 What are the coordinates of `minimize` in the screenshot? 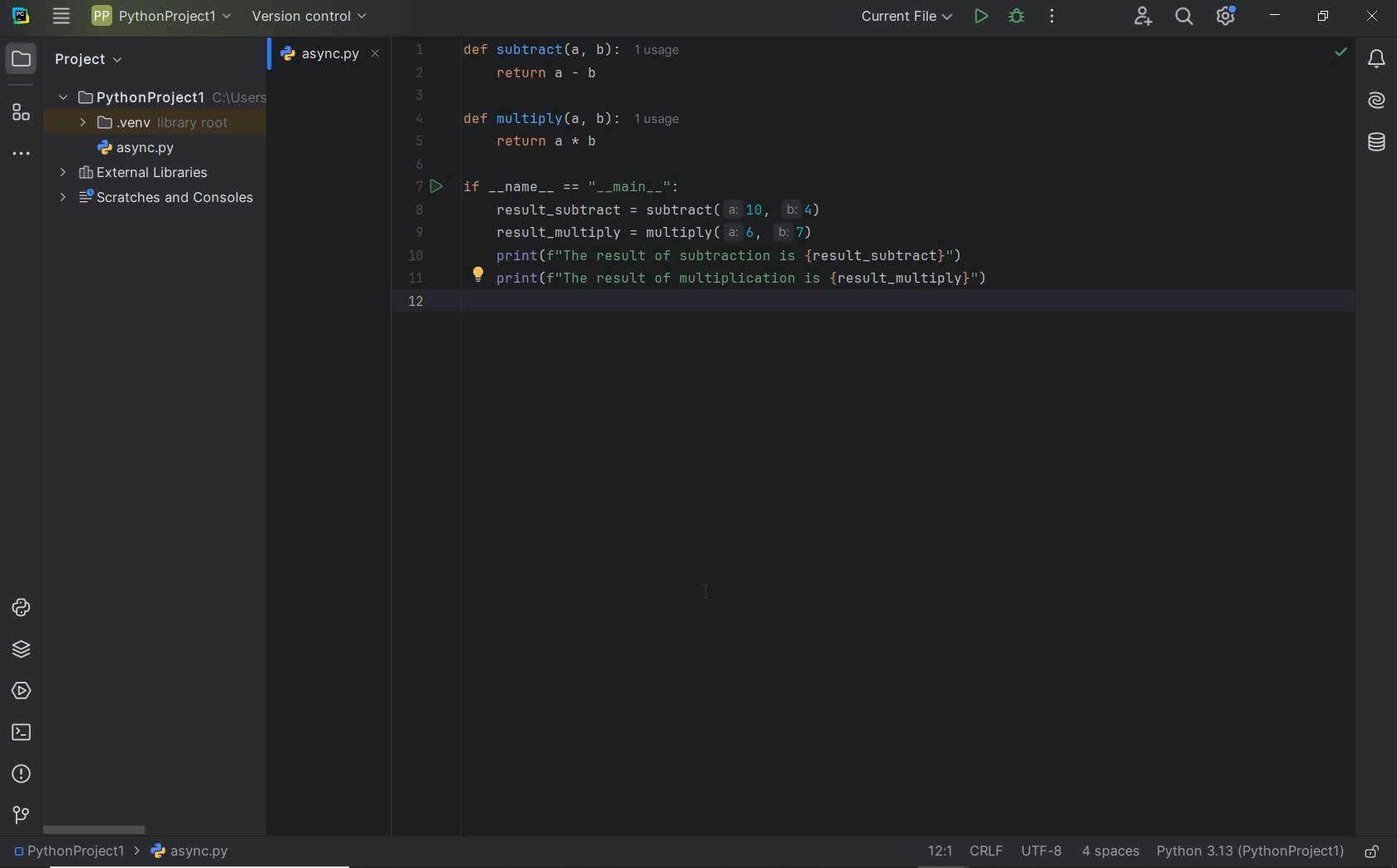 It's located at (1276, 15).